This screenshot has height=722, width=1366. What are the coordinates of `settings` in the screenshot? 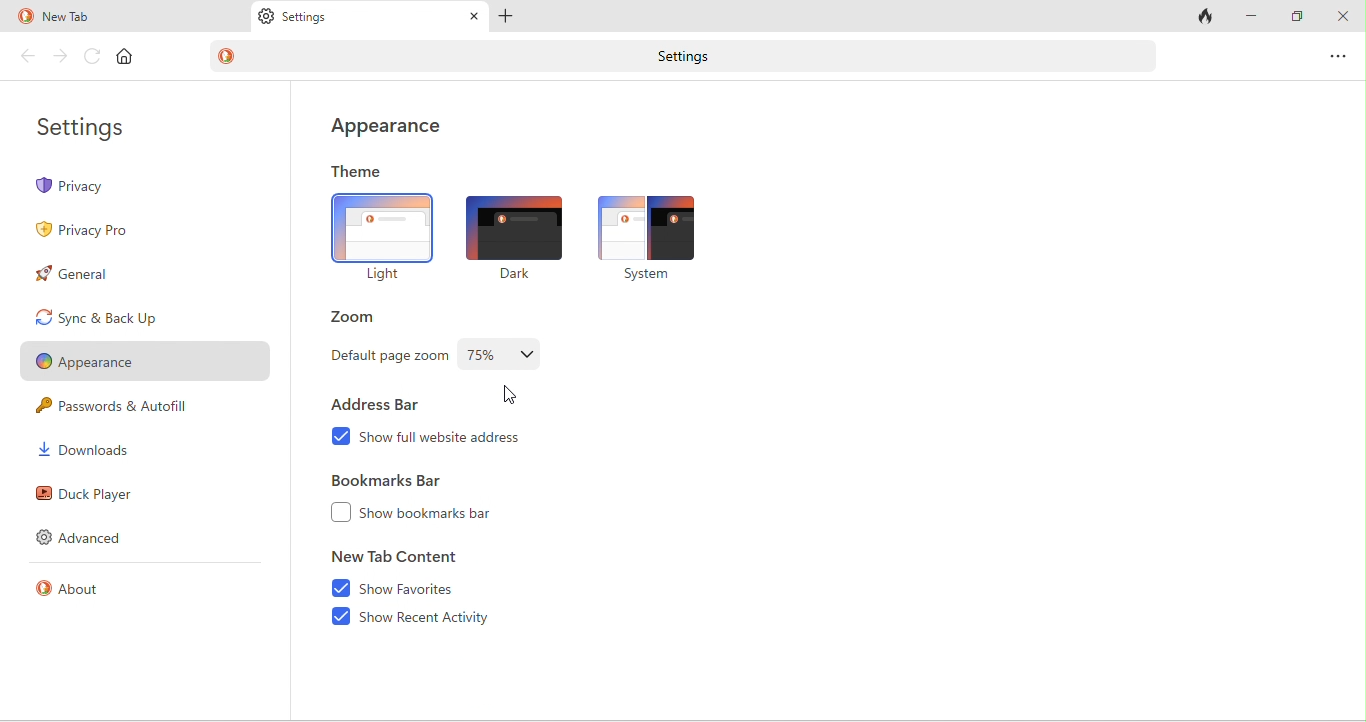 It's located at (311, 19).